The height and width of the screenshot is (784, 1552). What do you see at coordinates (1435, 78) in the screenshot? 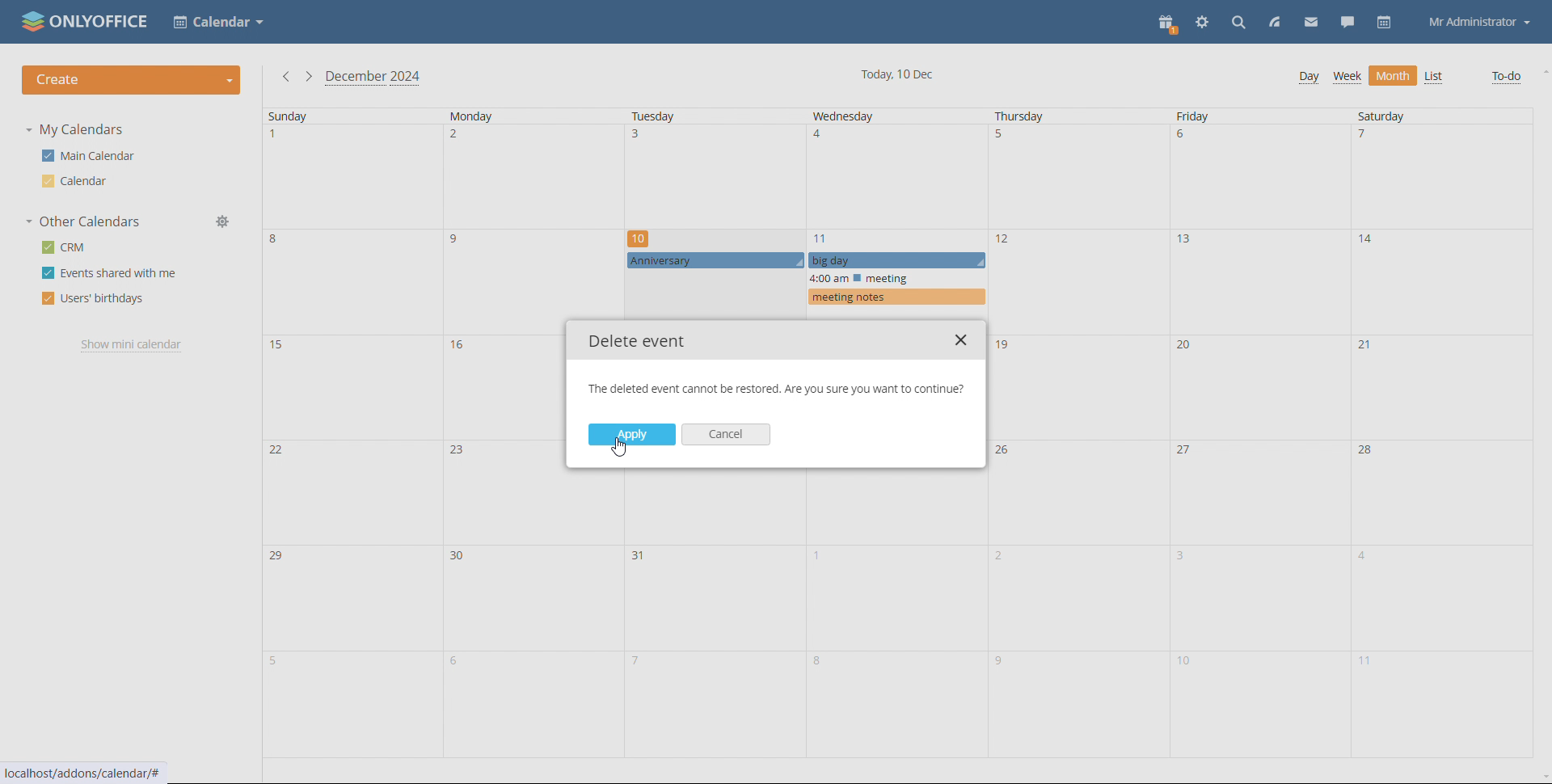
I see `list view` at bounding box center [1435, 78].